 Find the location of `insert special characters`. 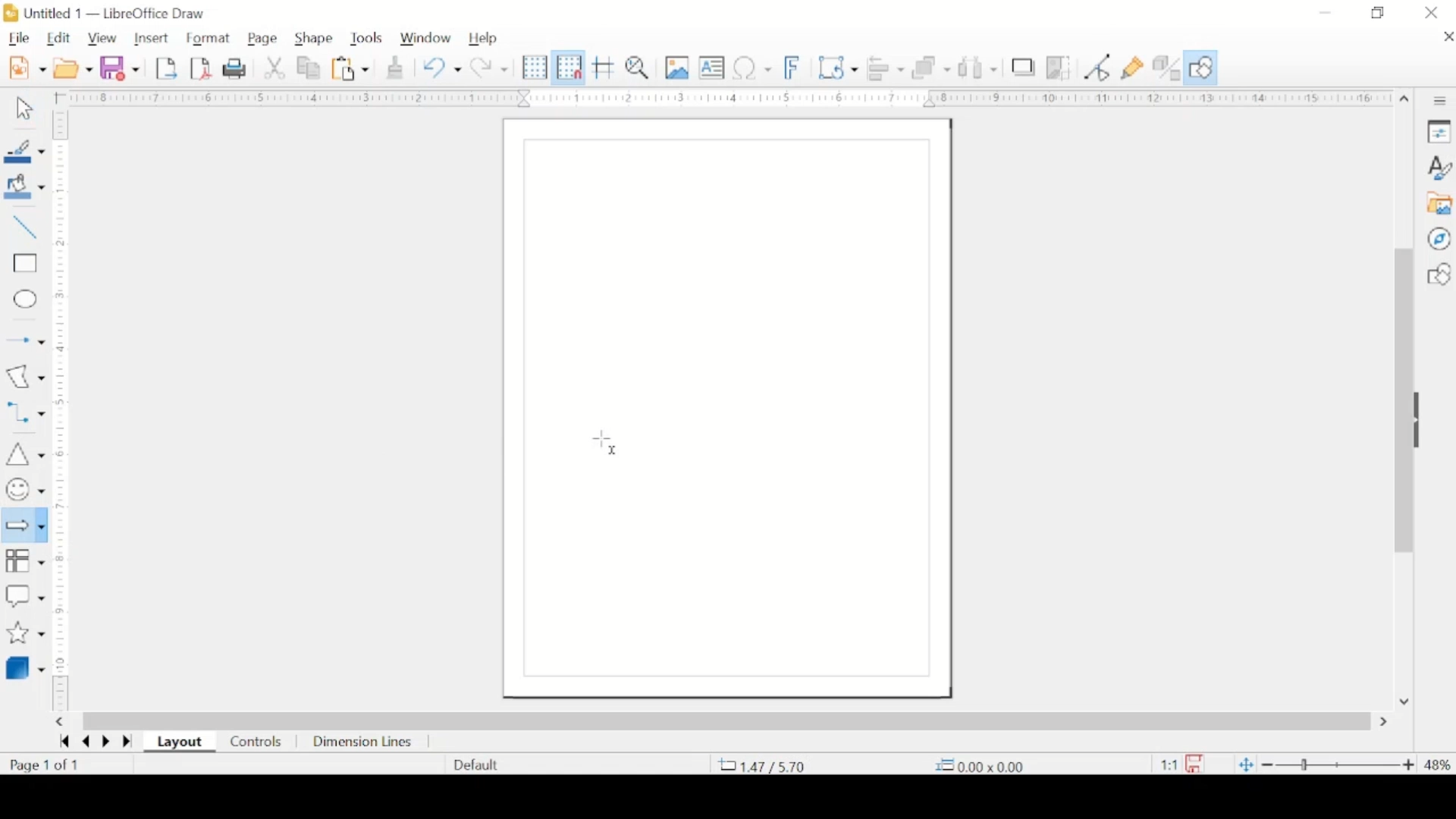

insert special characters is located at coordinates (752, 67).